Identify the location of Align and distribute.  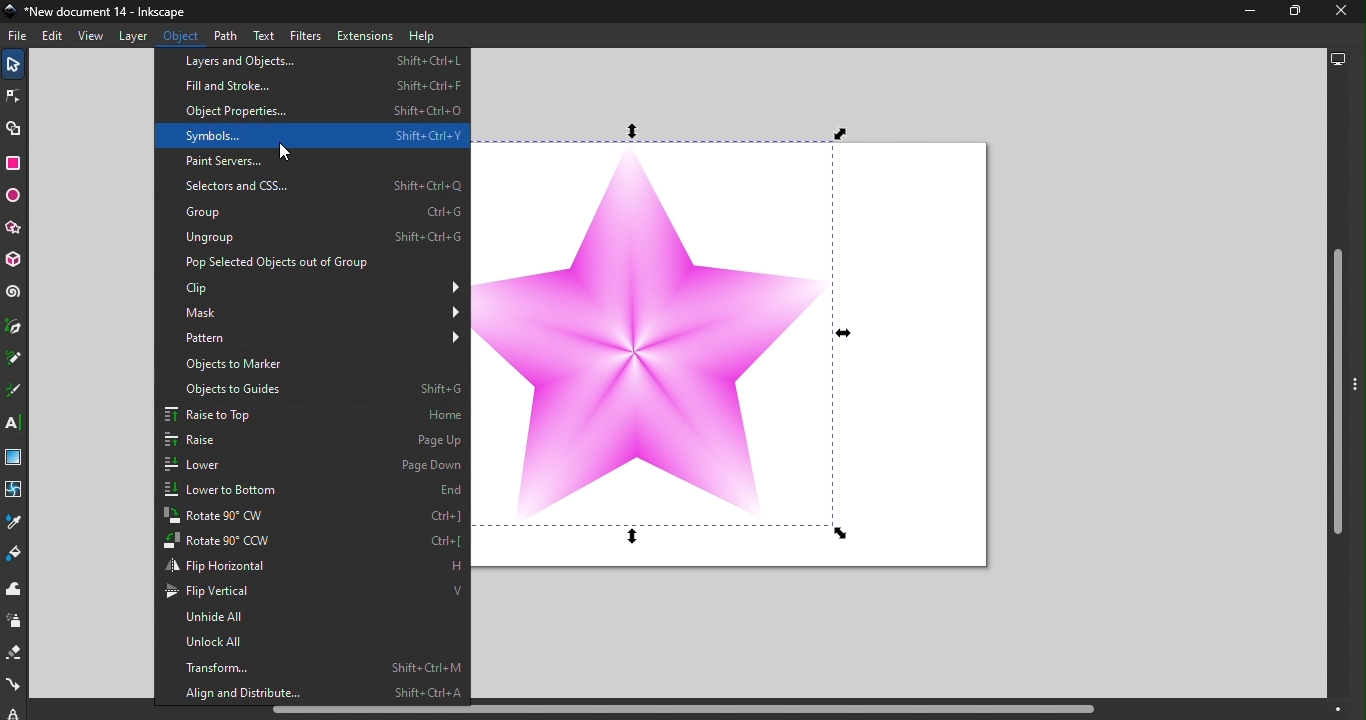
(310, 690).